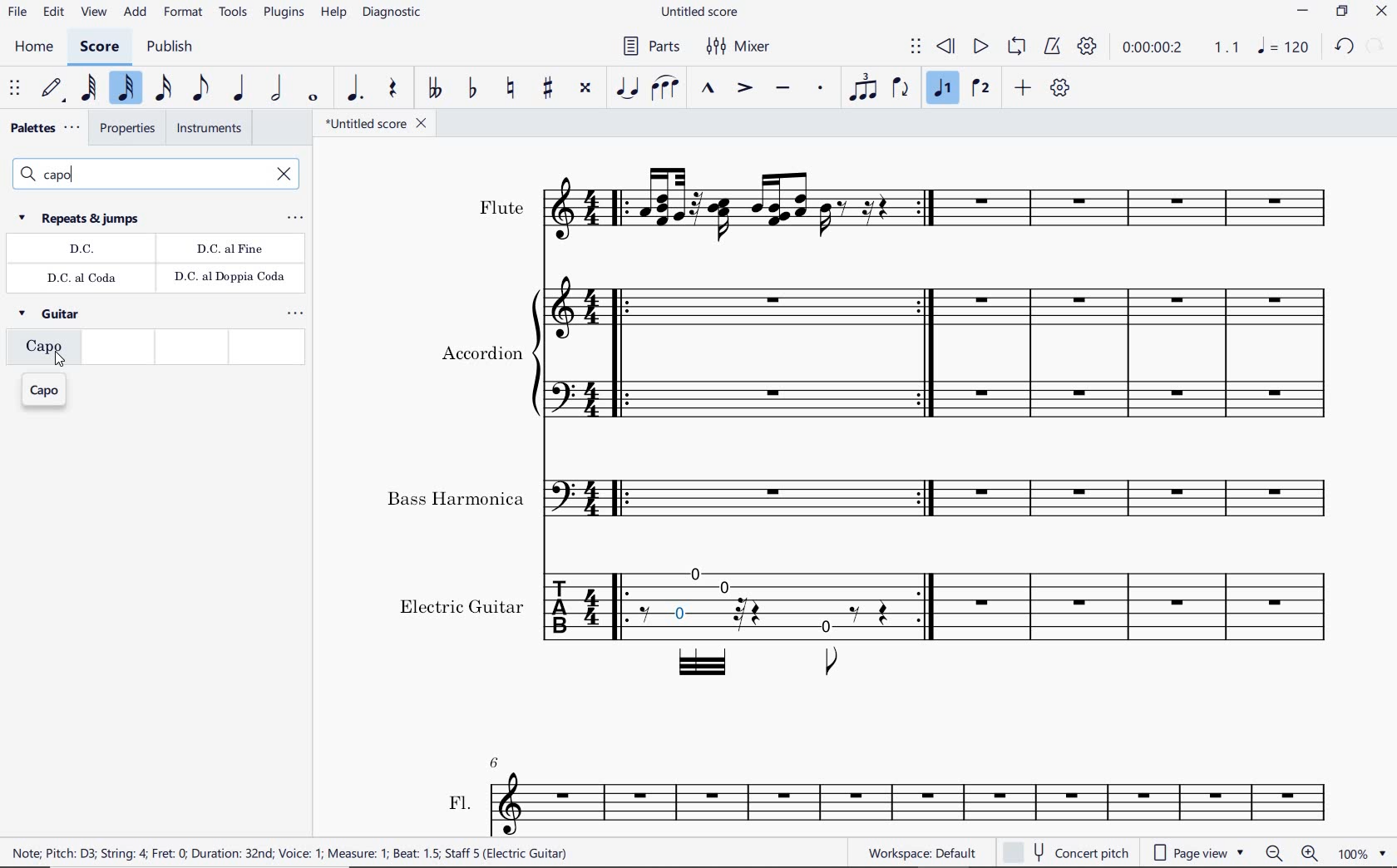  I want to click on palette properties, so click(297, 313).